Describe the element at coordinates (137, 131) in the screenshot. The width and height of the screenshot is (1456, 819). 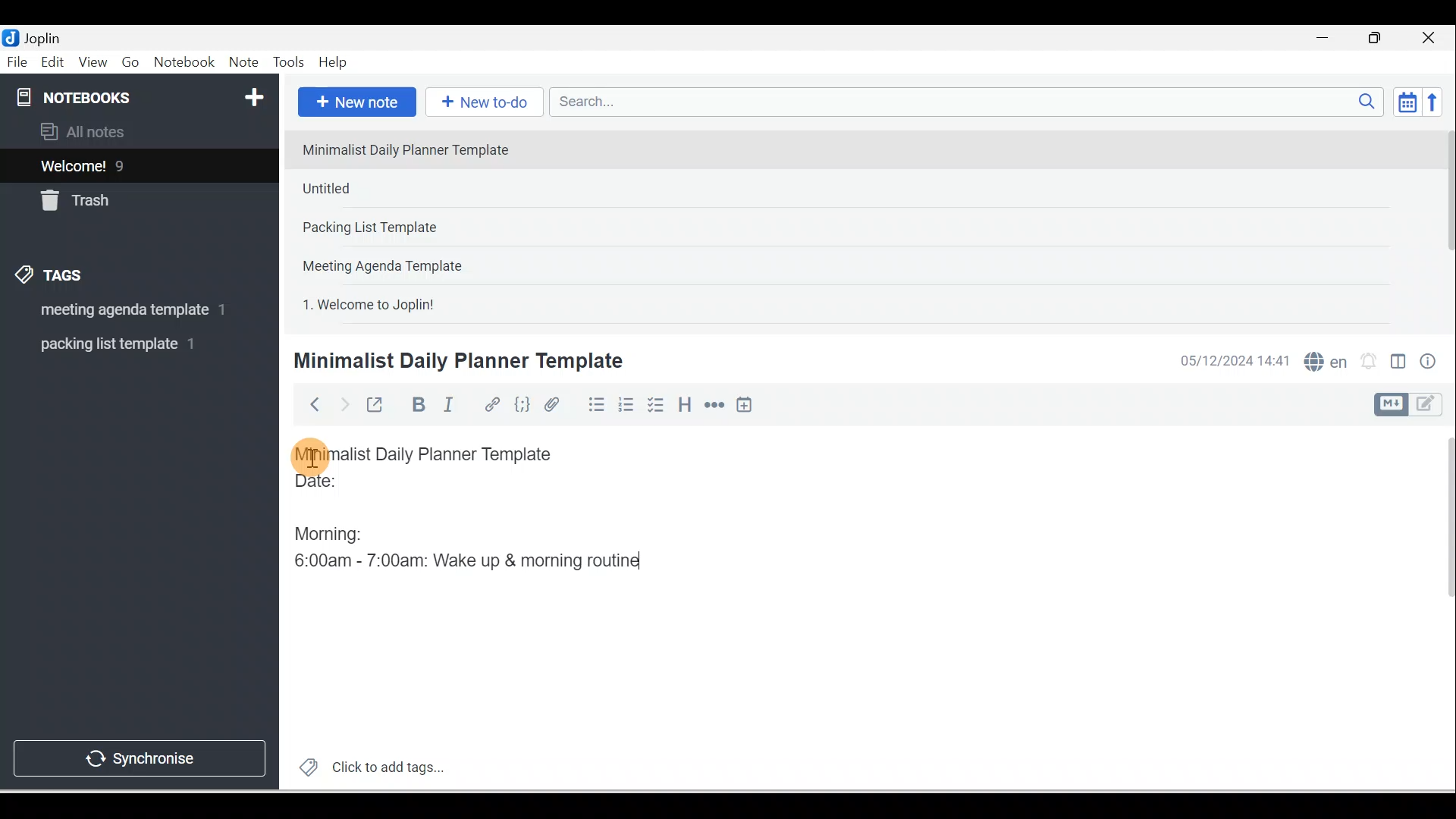
I see `All notes` at that location.